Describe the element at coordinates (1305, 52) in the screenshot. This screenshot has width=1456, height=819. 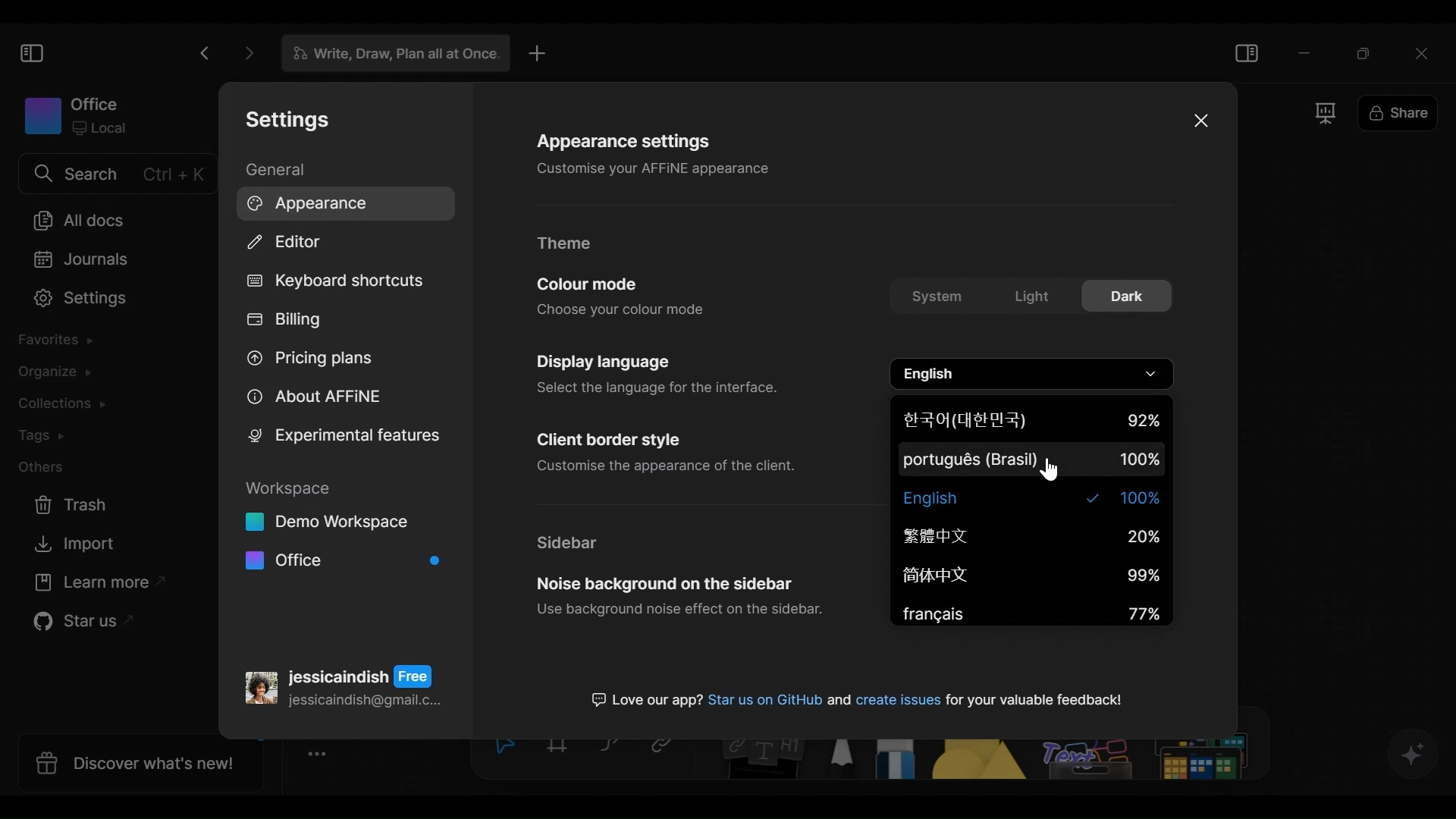
I see `minimize` at that location.